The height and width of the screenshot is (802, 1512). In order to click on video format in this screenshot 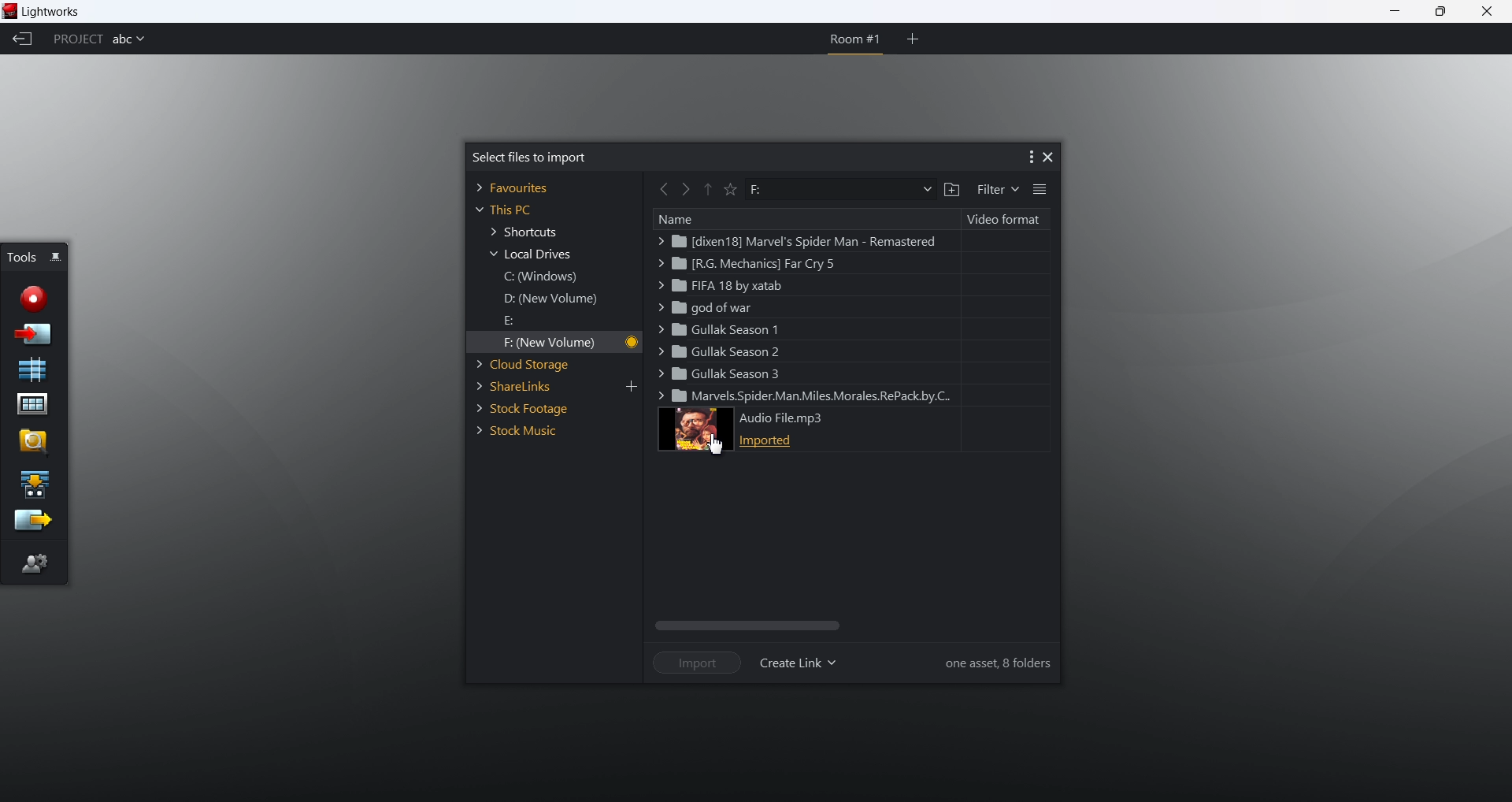, I will do `click(1006, 217)`.